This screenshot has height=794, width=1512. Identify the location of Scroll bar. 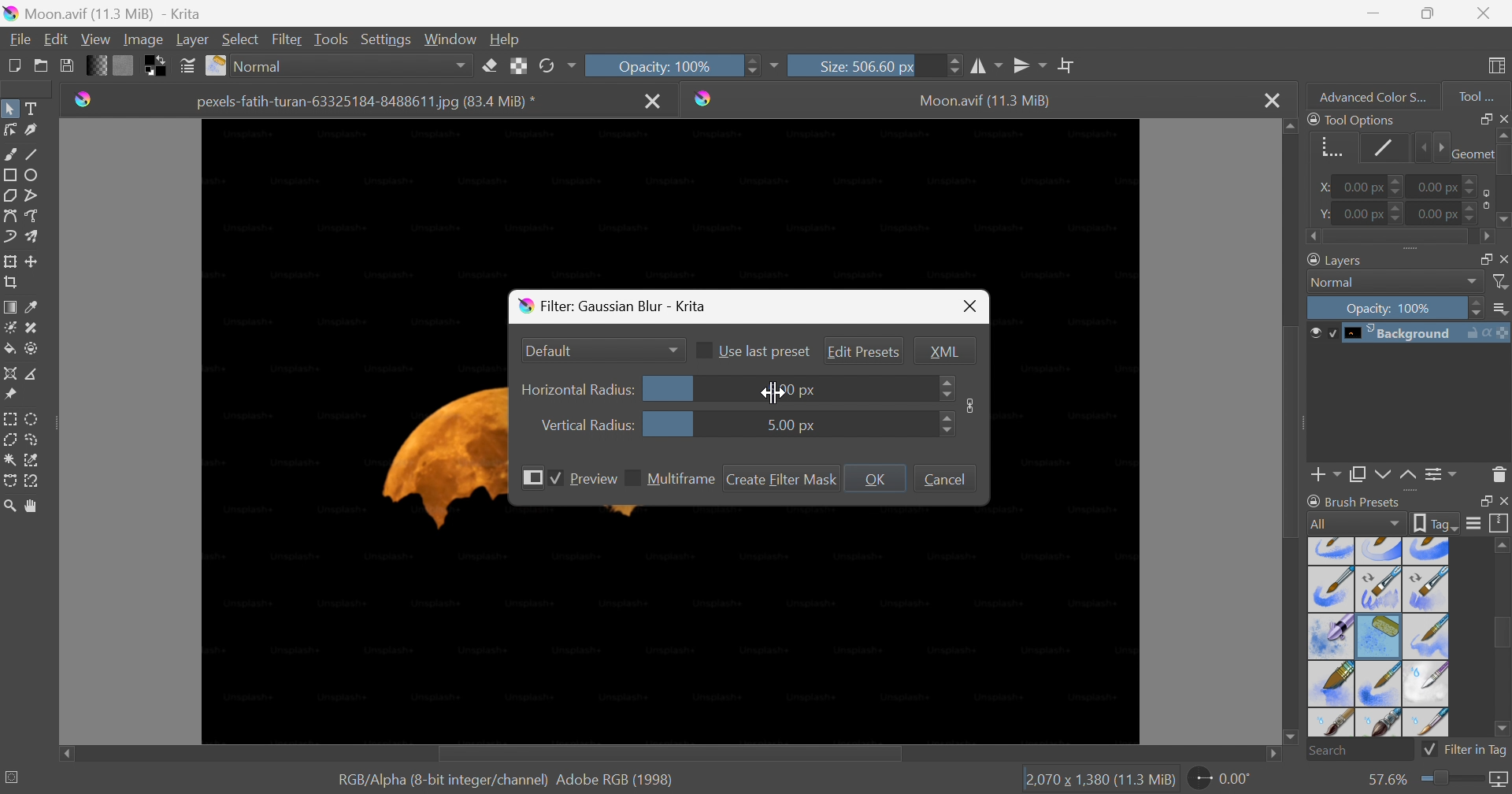
(1399, 238).